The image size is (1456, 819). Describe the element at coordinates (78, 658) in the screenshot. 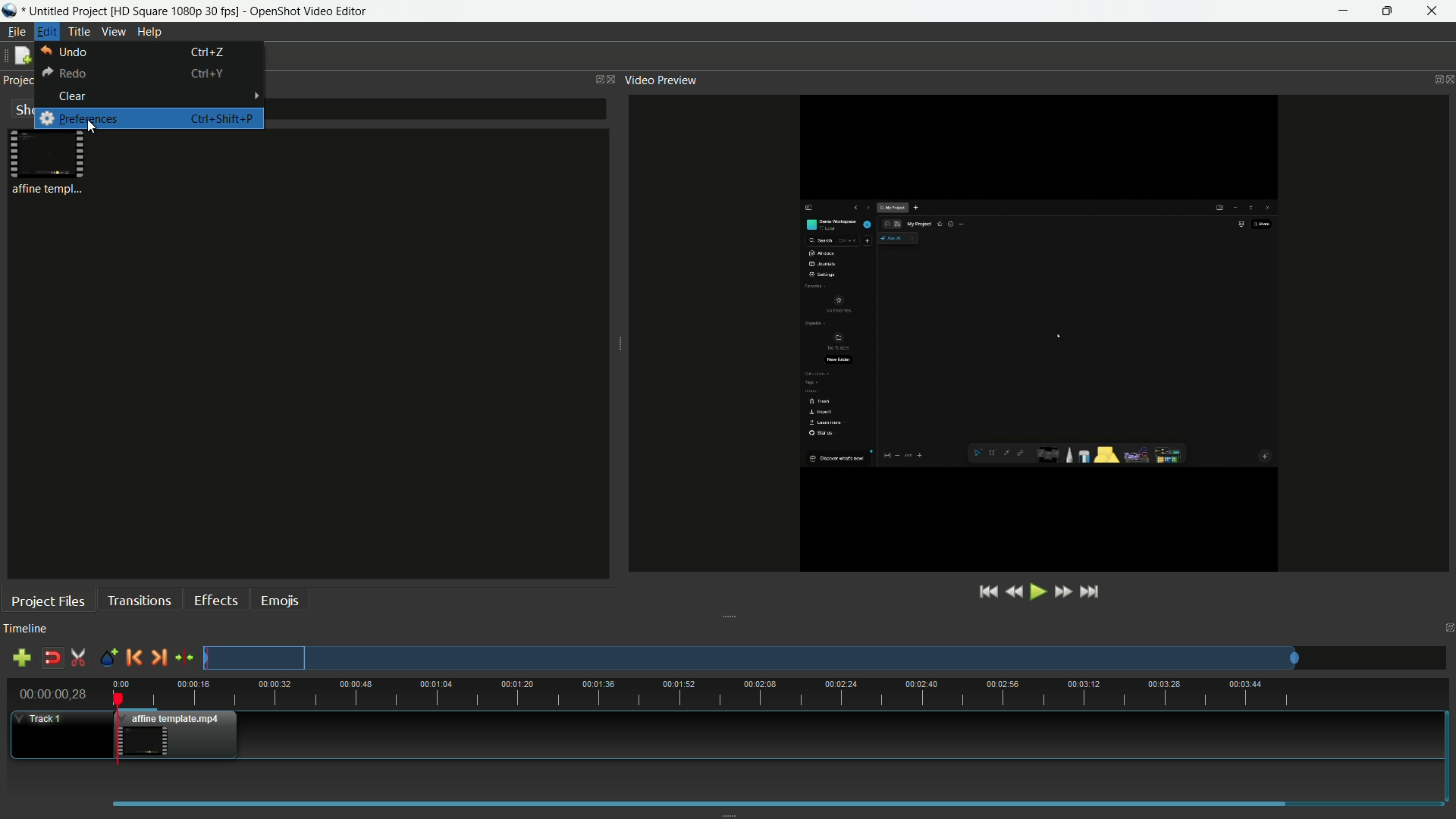

I see `enable razor` at that location.